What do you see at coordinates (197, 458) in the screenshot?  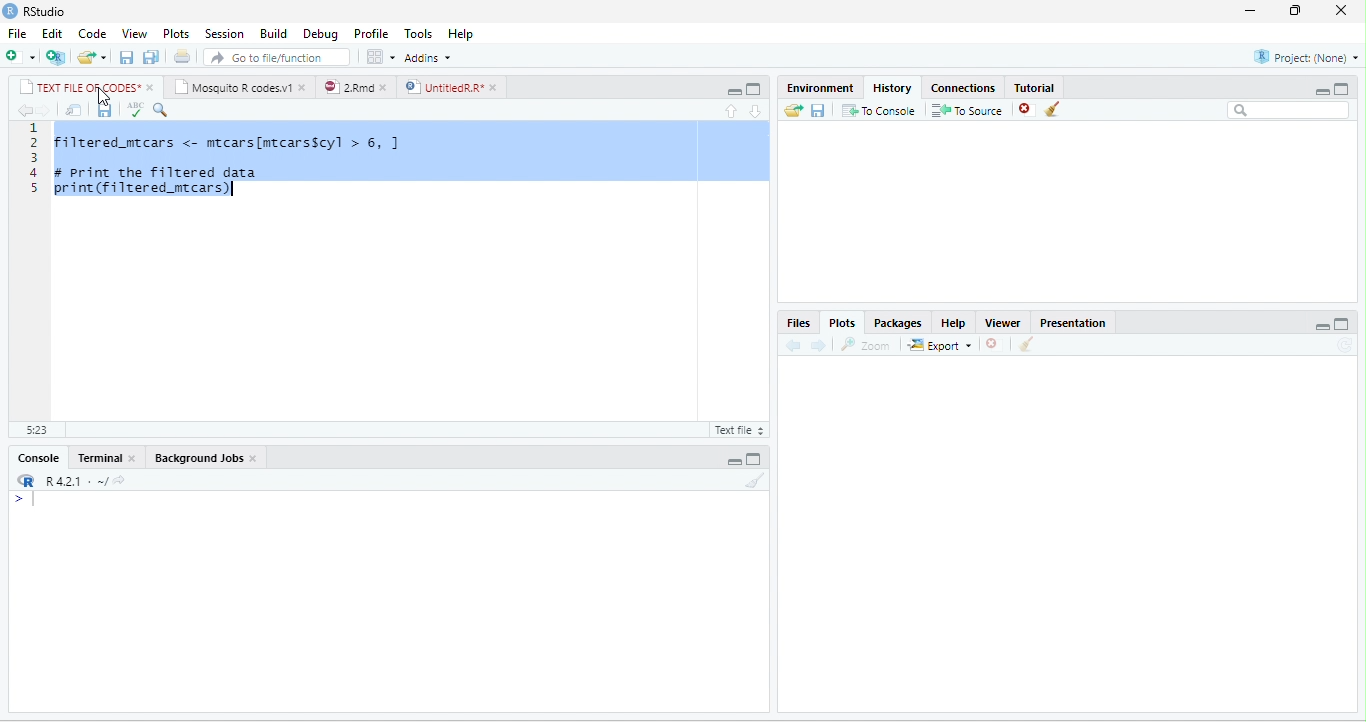 I see `Background Jobs` at bounding box center [197, 458].